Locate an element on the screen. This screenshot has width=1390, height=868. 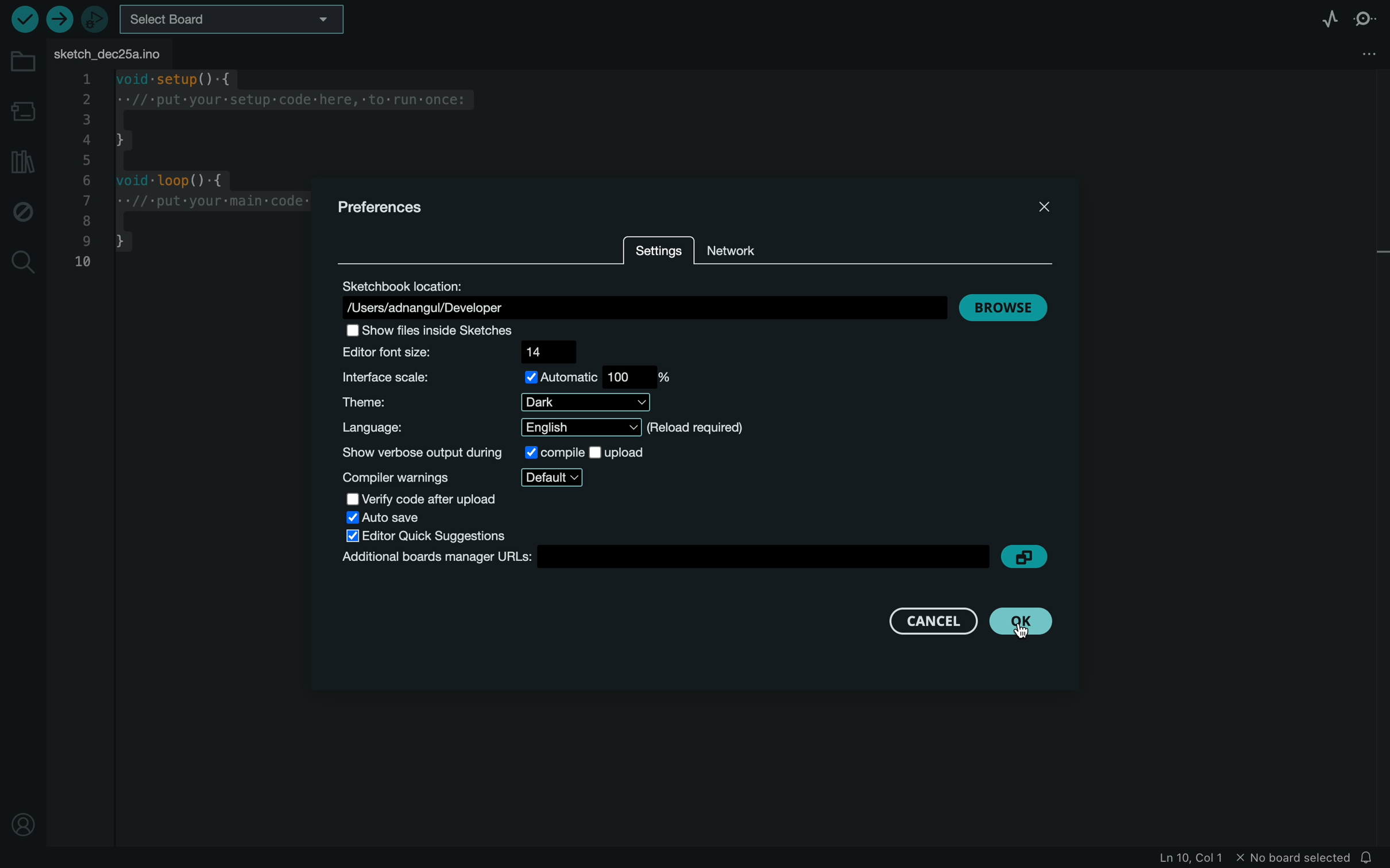
show  verbose is located at coordinates (495, 451).